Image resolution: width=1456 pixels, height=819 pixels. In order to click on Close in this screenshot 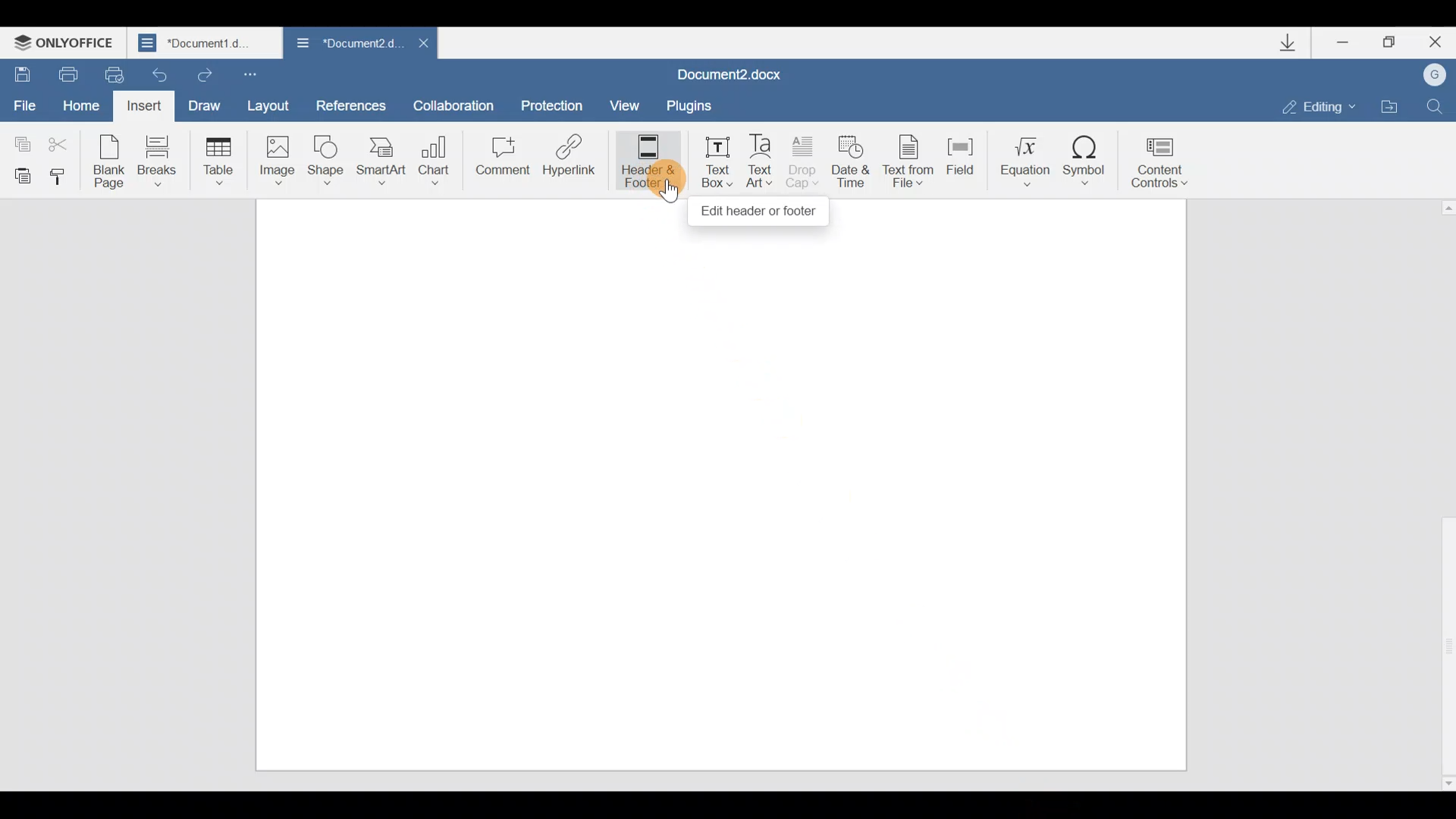, I will do `click(419, 42)`.